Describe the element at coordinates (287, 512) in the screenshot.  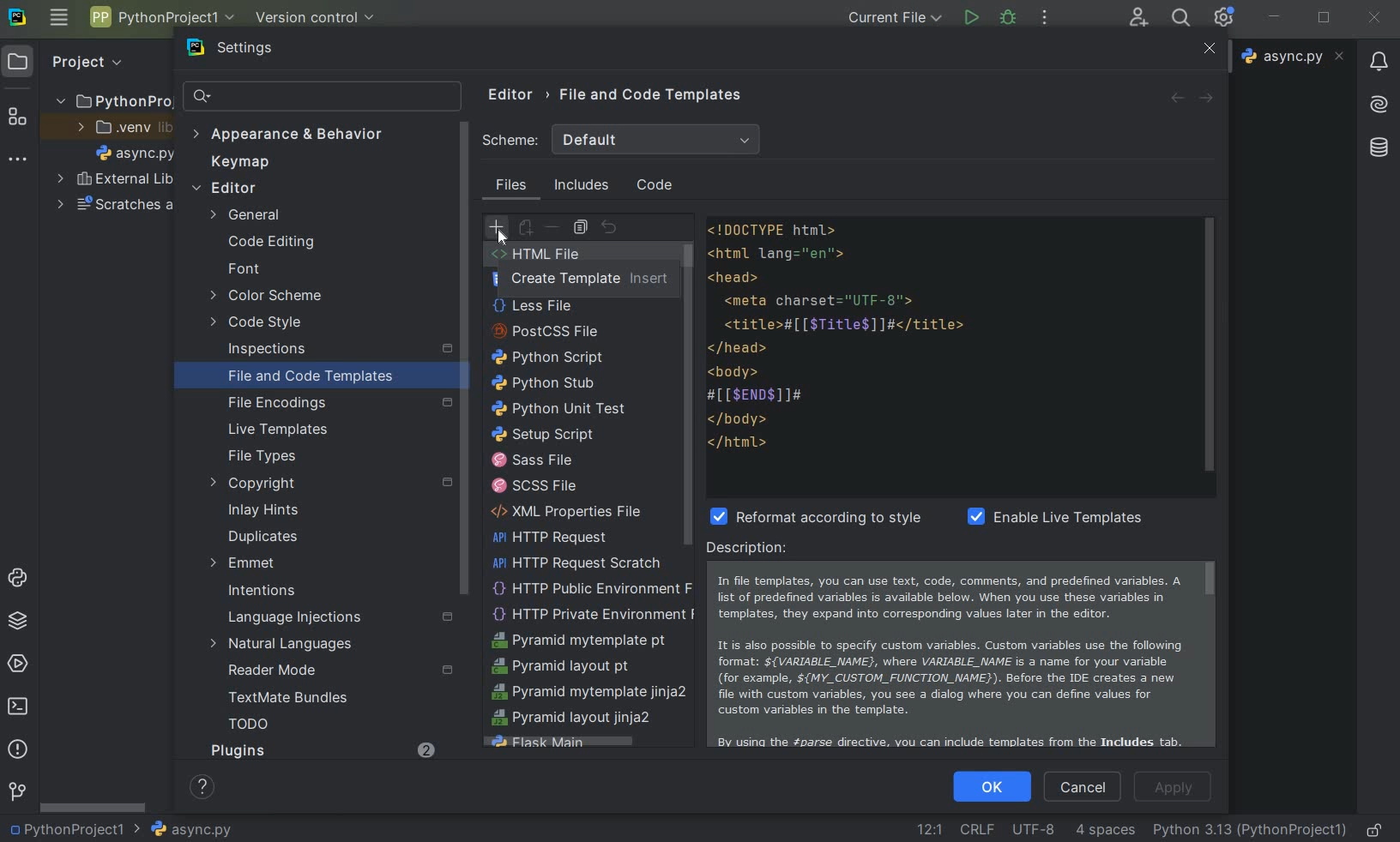
I see `inlay hints` at that location.